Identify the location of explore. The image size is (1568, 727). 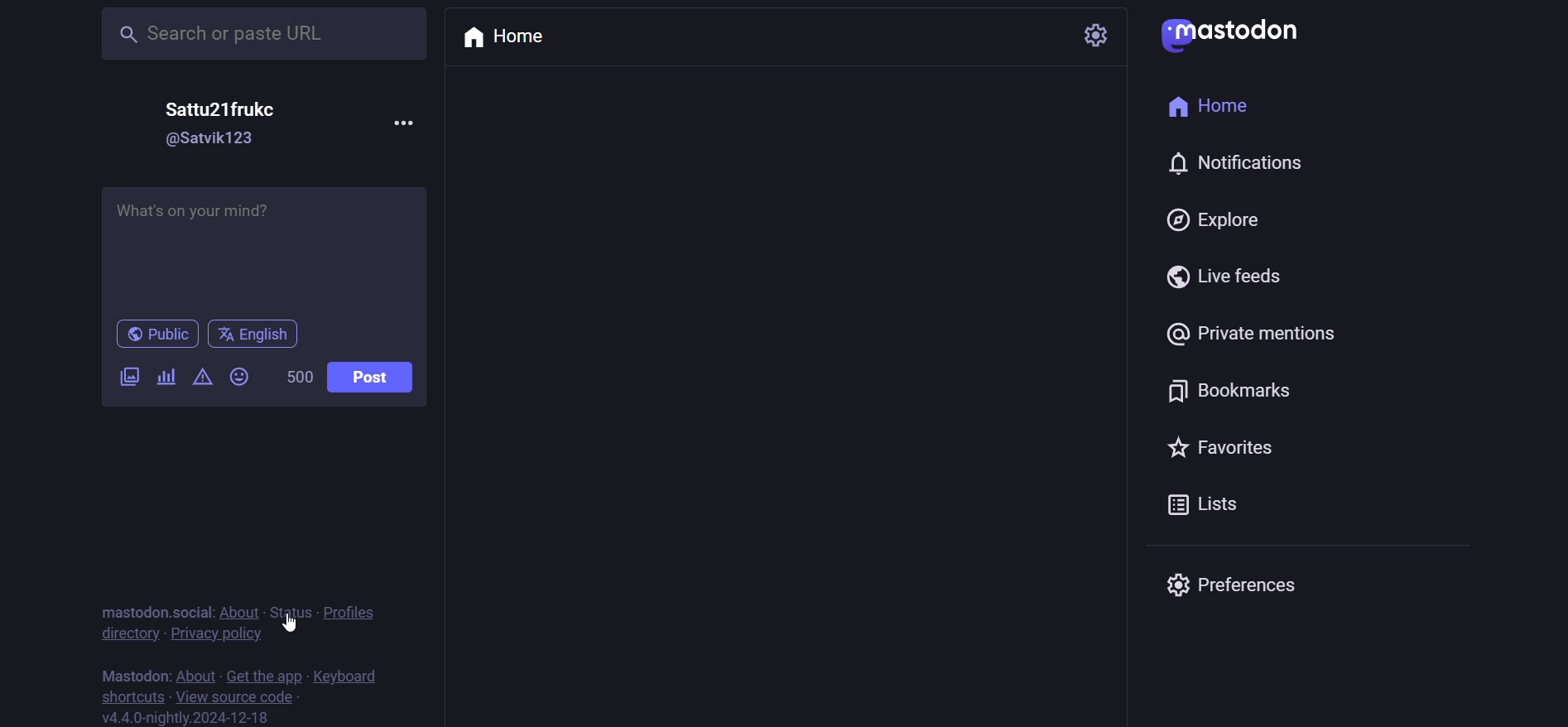
(1200, 218).